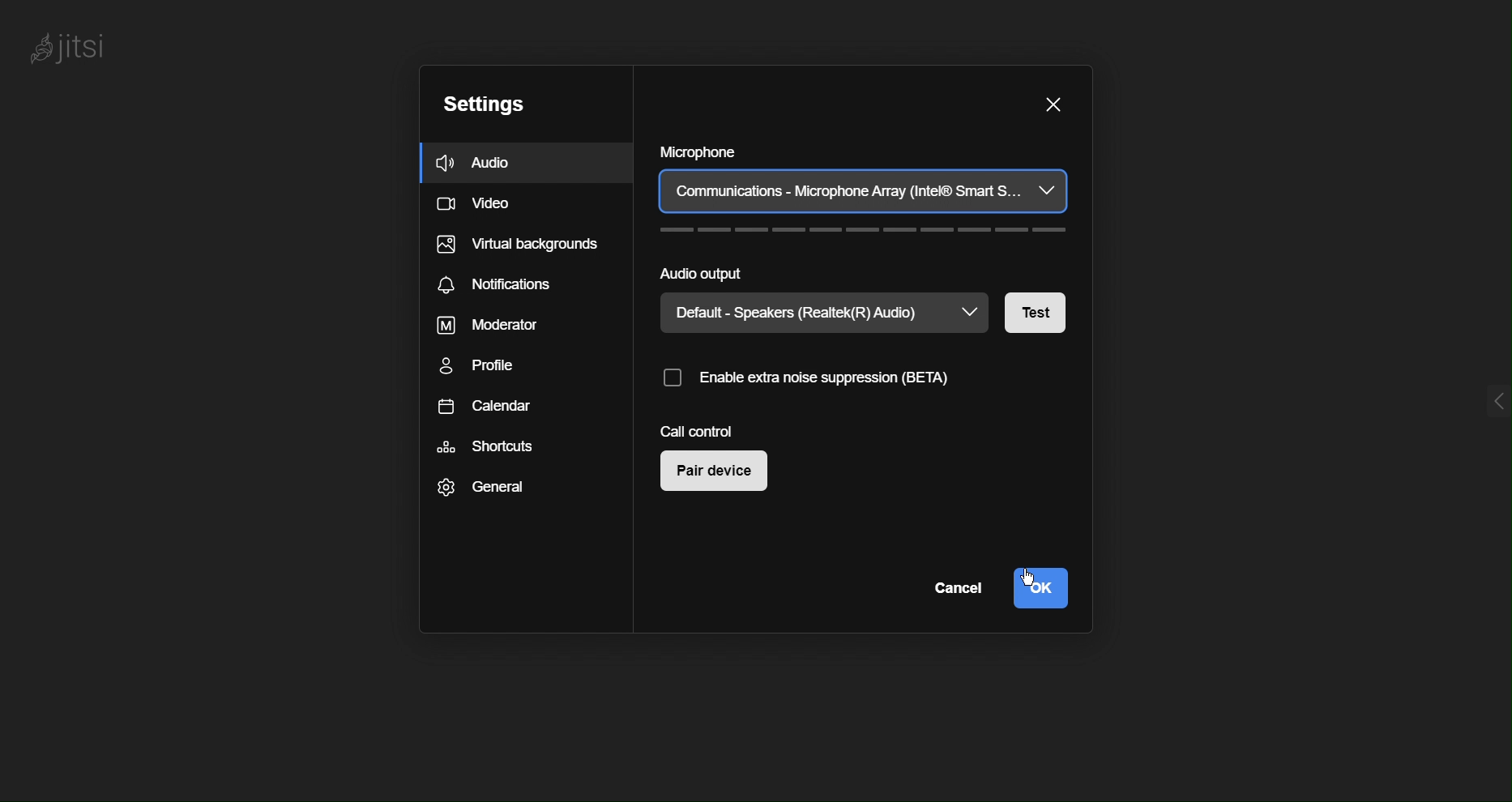 The image size is (1512, 802). What do you see at coordinates (863, 192) in the screenshot?
I see `Default - Microphone Array (Intel® Smart Sound Tec...` at bounding box center [863, 192].